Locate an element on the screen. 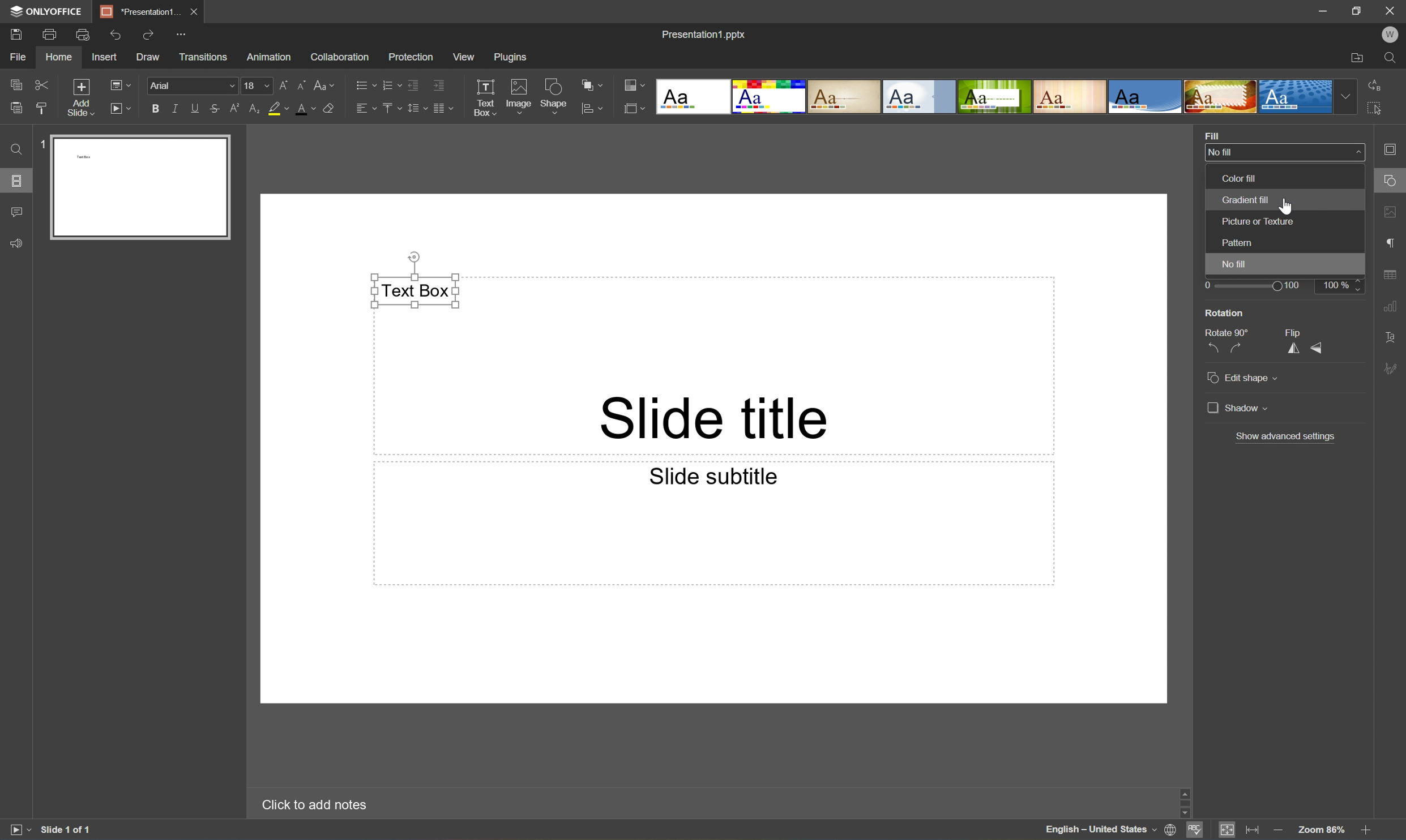 The width and height of the screenshot is (1406, 840). Decrease indent is located at coordinates (411, 84).